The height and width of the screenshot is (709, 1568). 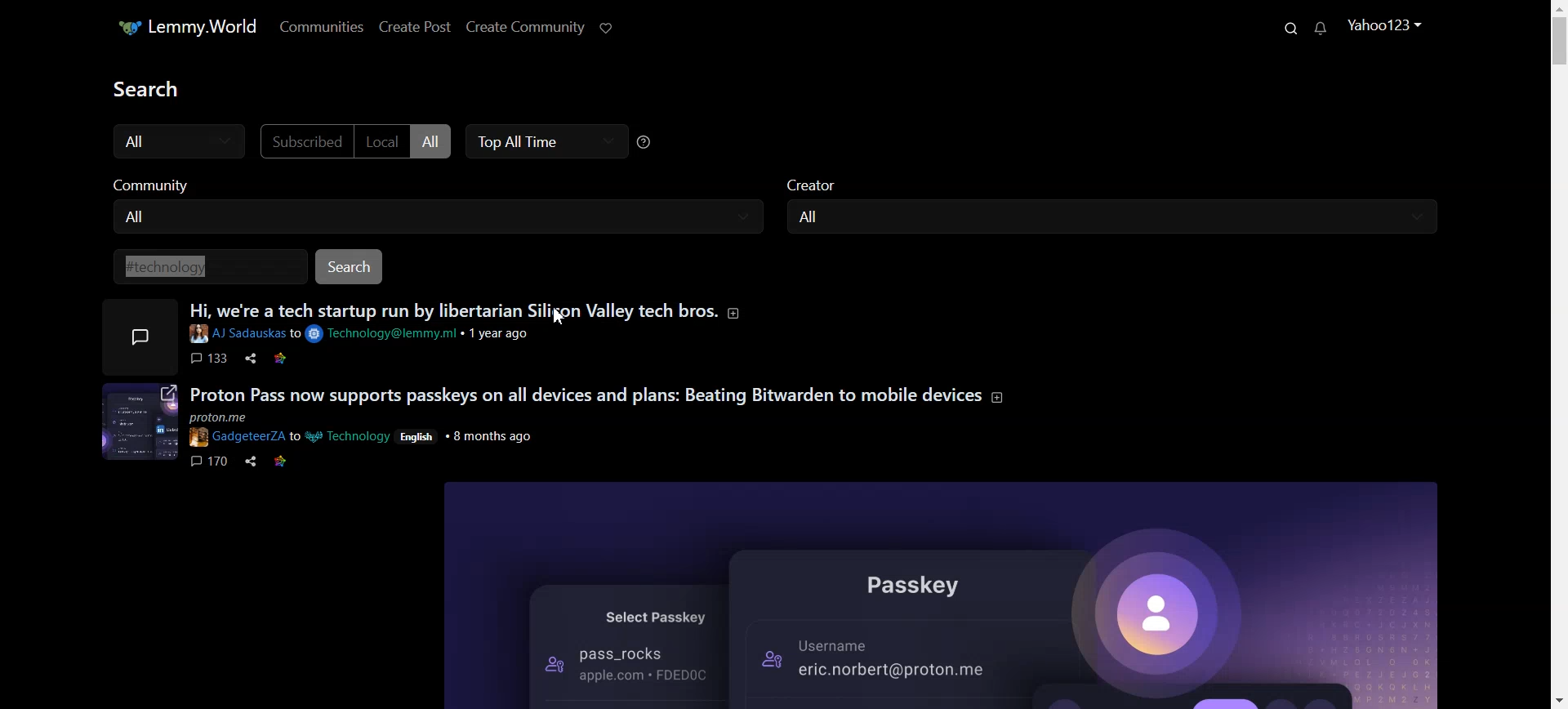 I want to click on link, so click(x=282, y=360).